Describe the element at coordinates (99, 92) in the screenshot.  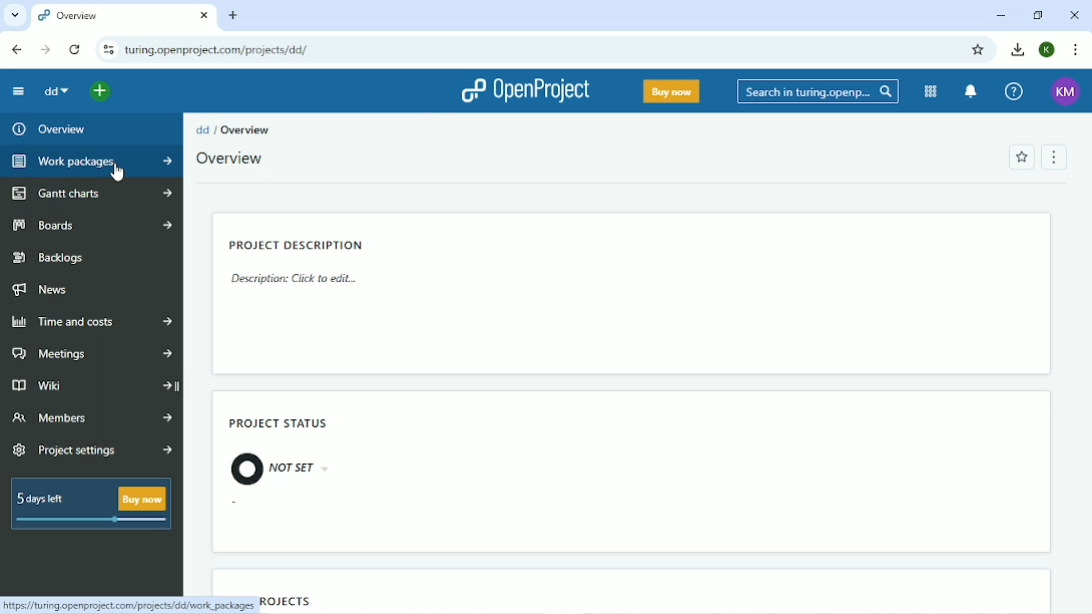
I see `Select a project` at that location.